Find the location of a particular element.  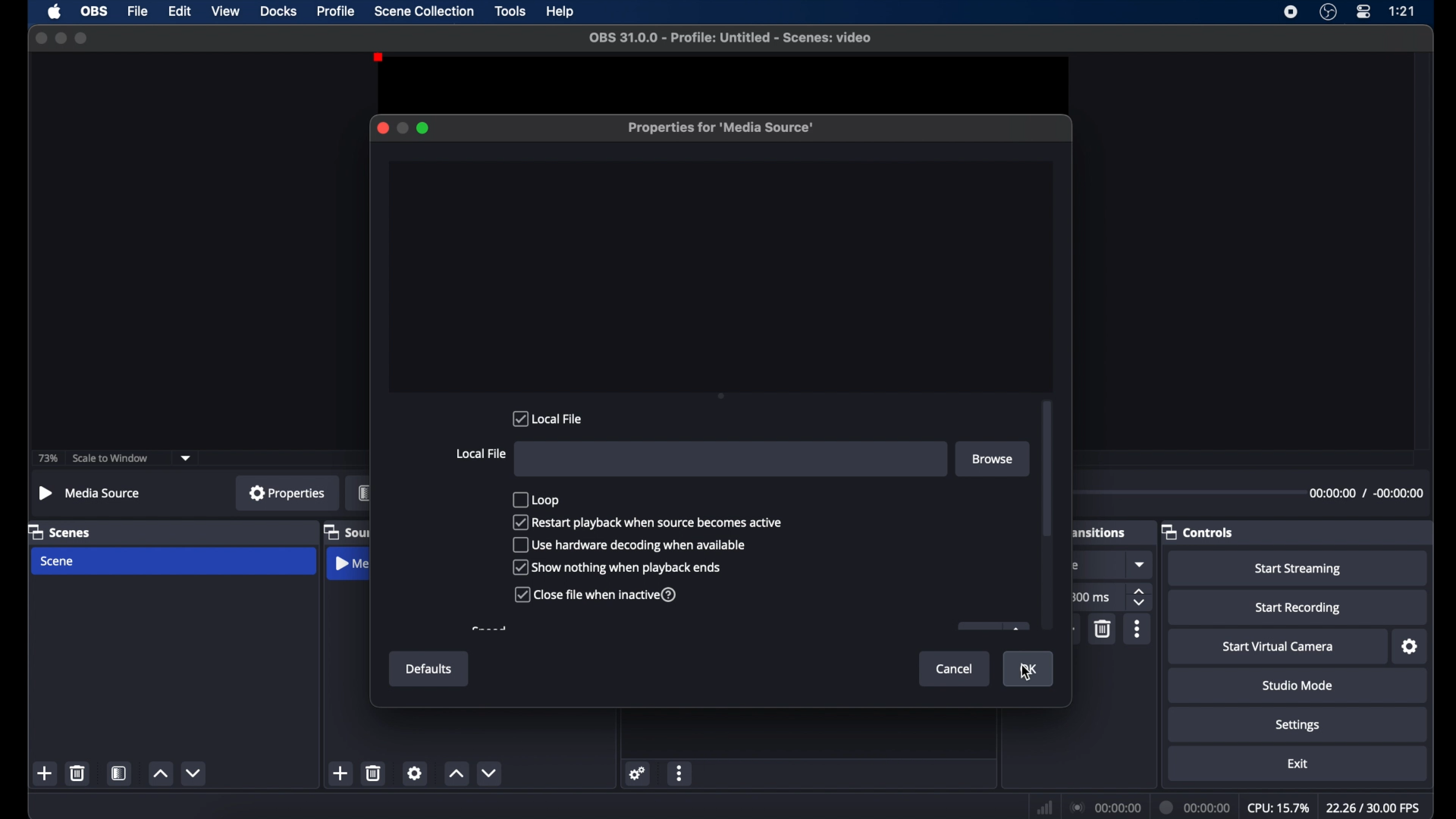

more options is located at coordinates (1138, 629).